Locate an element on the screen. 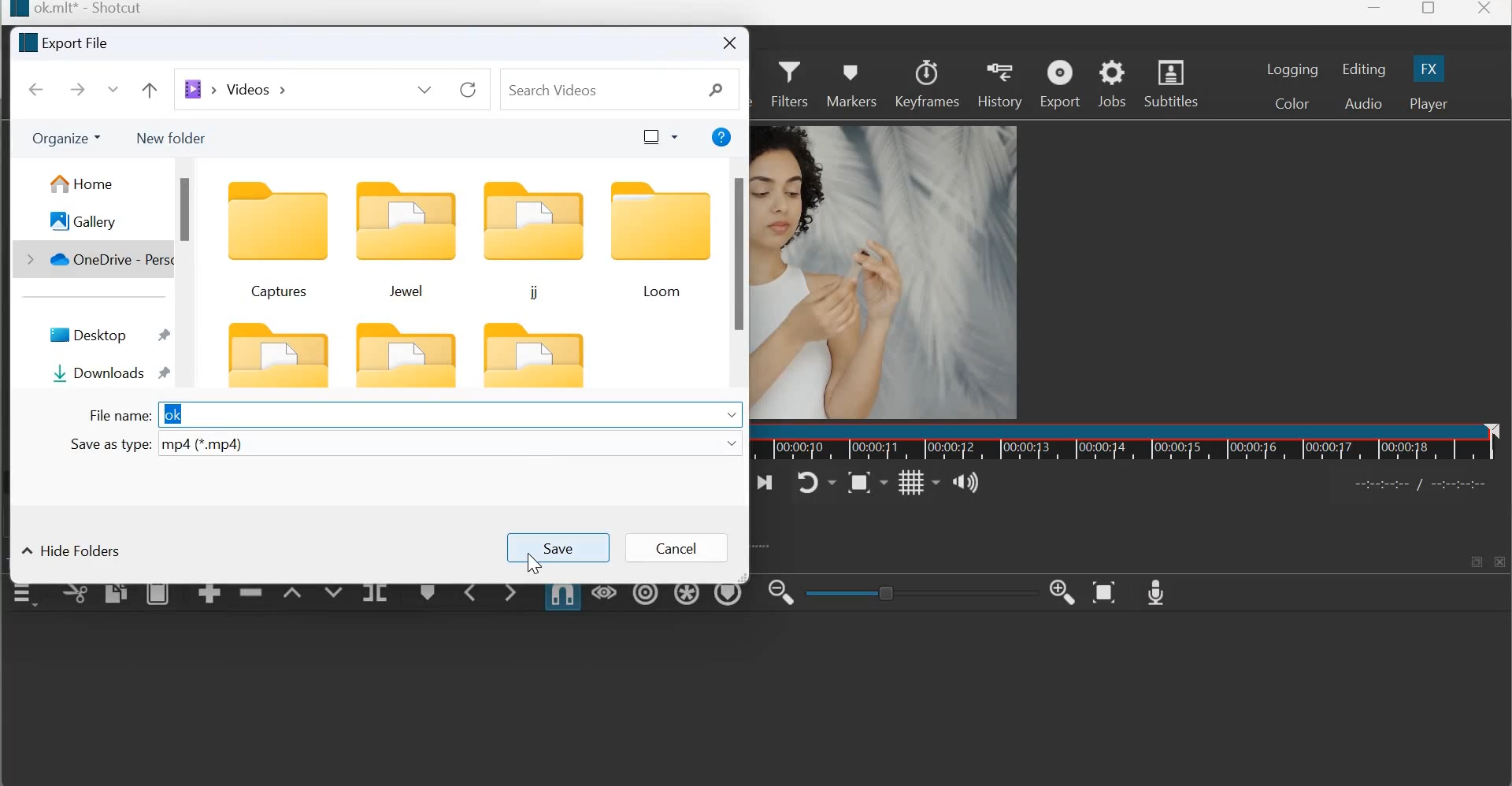 This screenshot has height=786, width=1512. pin is located at coordinates (170, 375).